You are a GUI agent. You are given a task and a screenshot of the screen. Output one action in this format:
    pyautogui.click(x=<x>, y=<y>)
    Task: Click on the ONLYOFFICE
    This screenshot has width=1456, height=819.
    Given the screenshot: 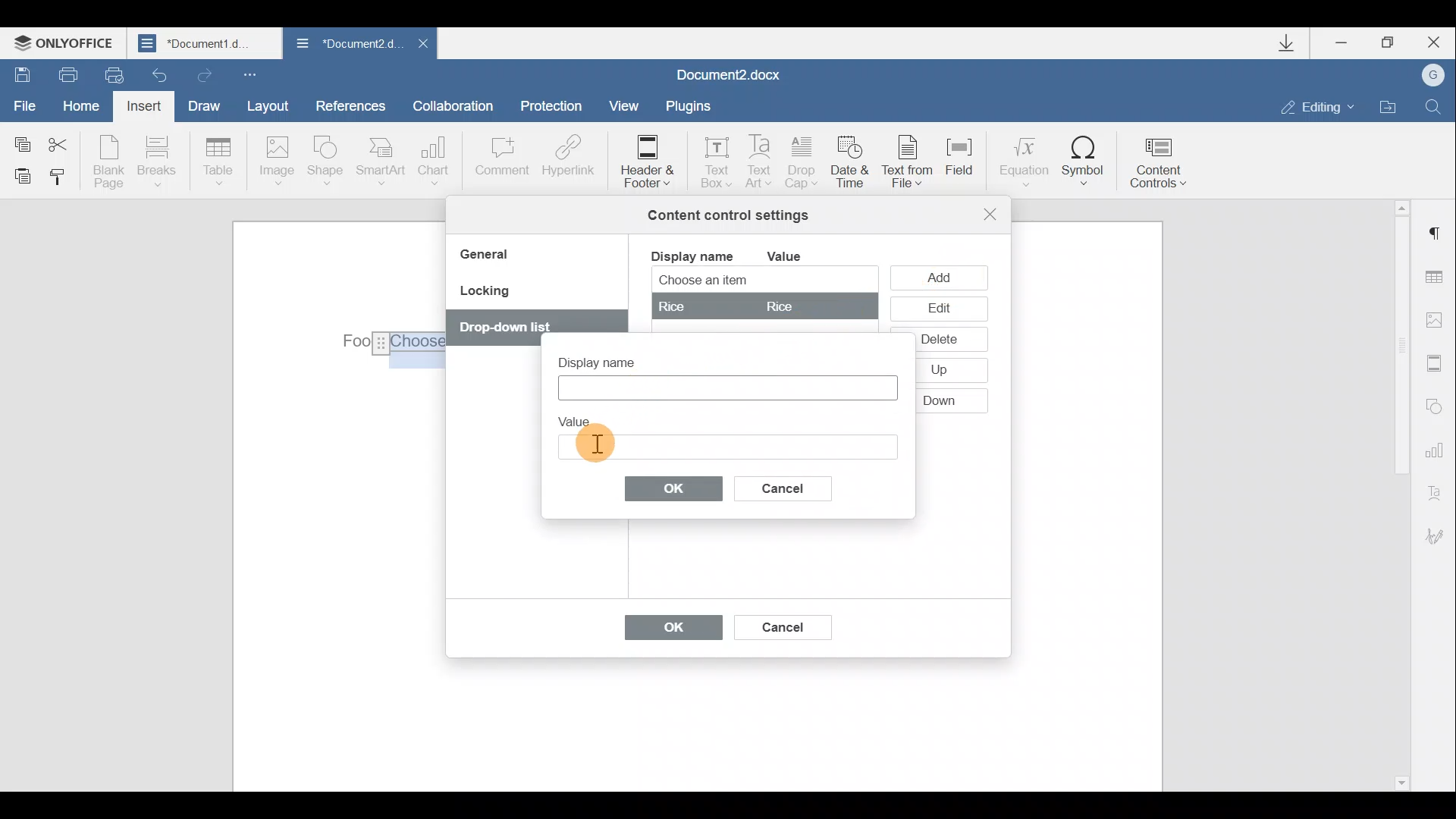 What is the action you would take?
    pyautogui.click(x=67, y=42)
    